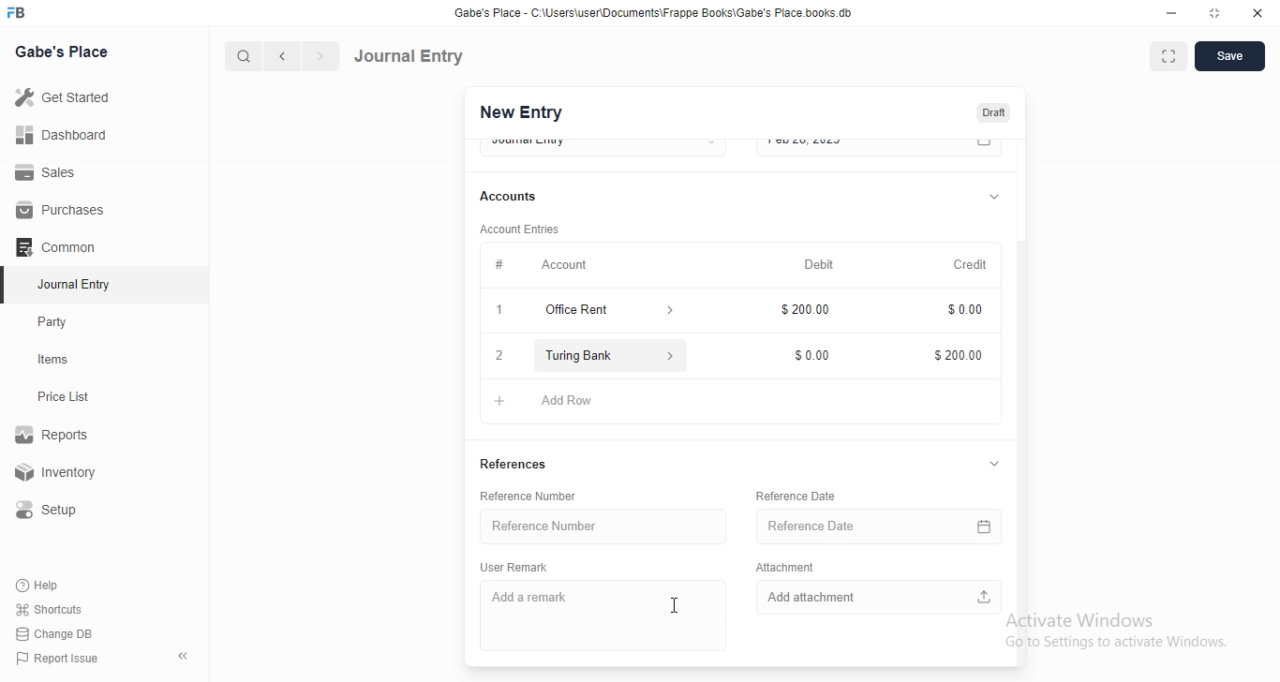 The width and height of the screenshot is (1280, 682). I want to click on User Remark., so click(510, 566).